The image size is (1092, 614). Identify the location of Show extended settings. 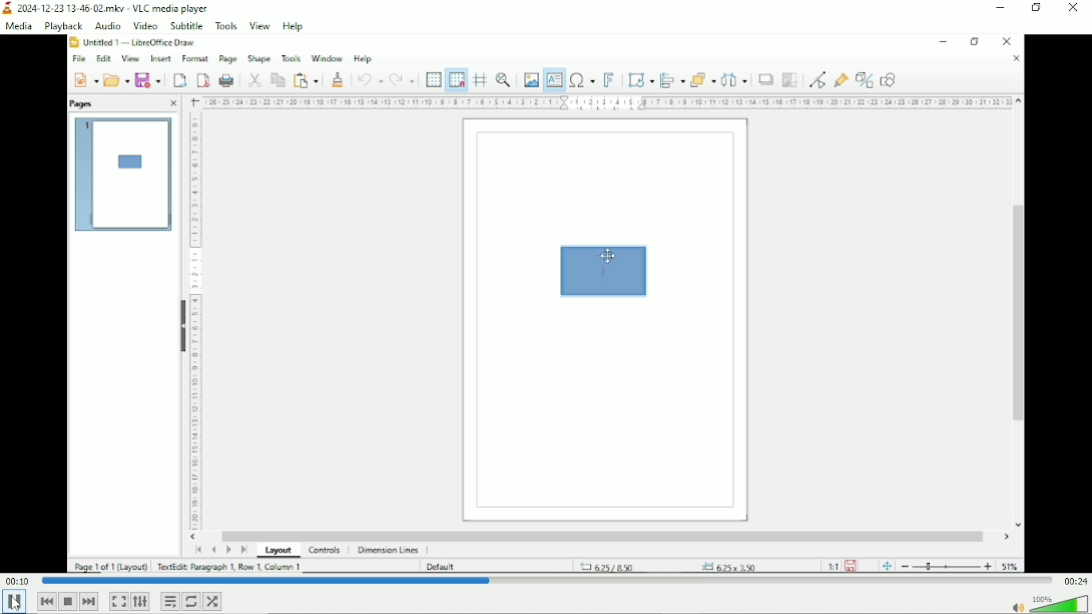
(140, 602).